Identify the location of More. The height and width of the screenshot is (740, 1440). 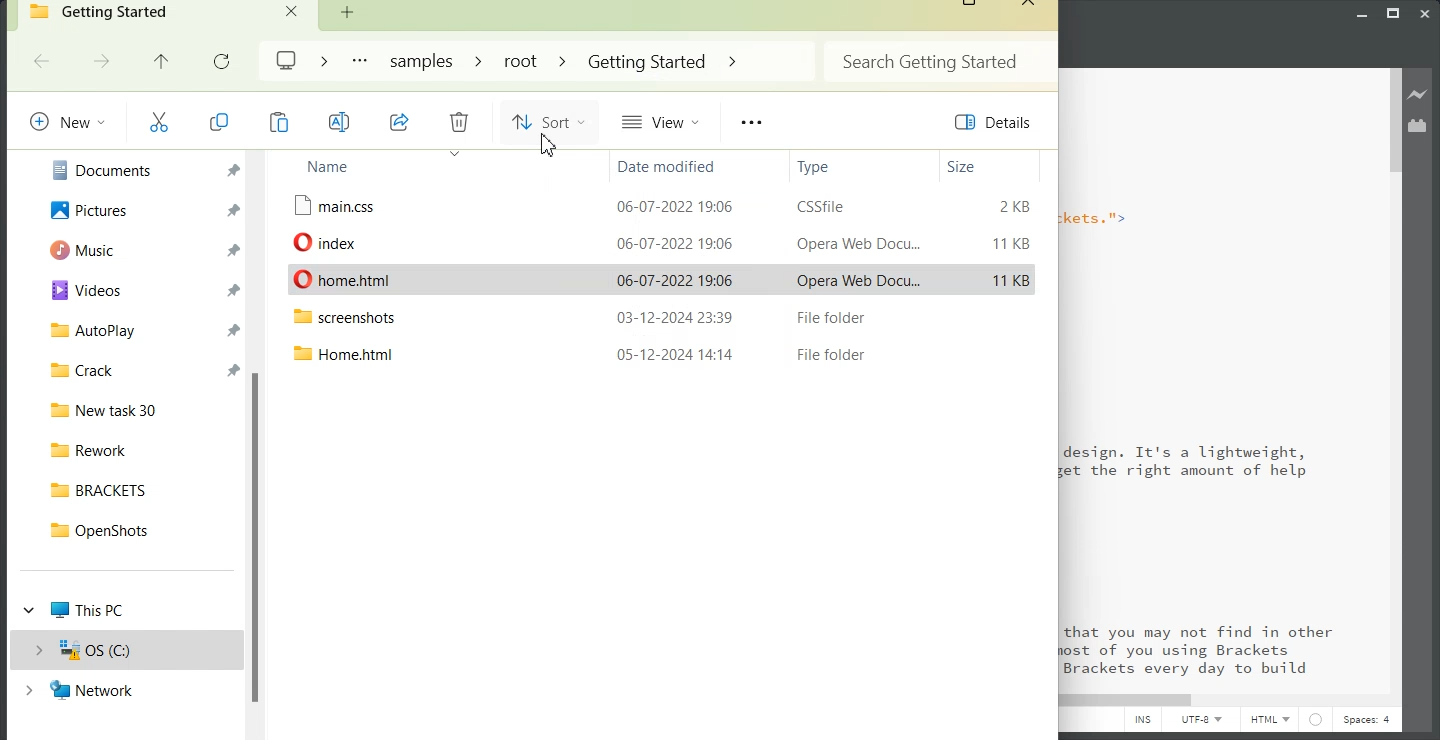
(751, 123).